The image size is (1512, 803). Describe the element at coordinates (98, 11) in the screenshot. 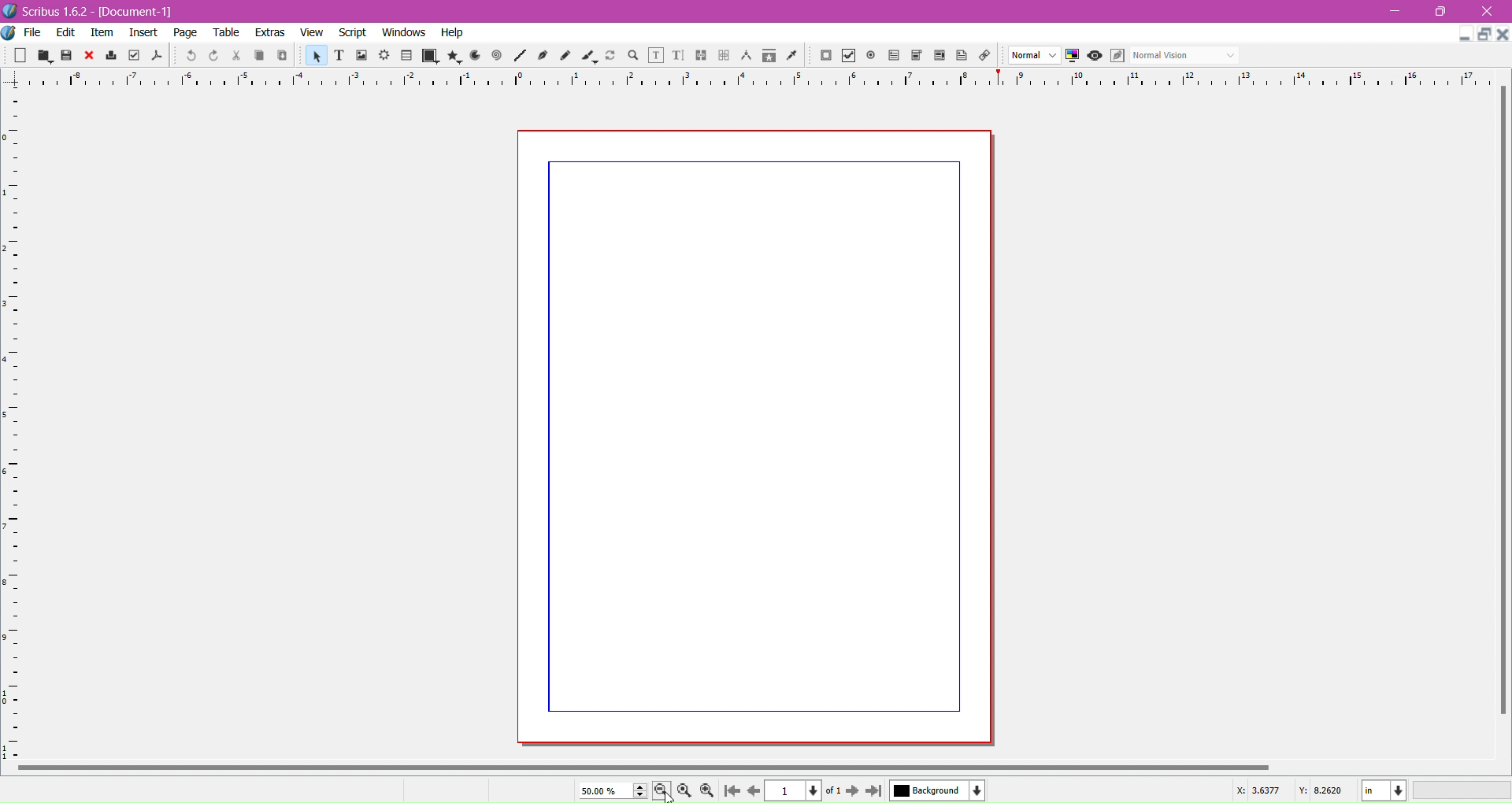

I see `Application Name, Version - Document Title` at that location.